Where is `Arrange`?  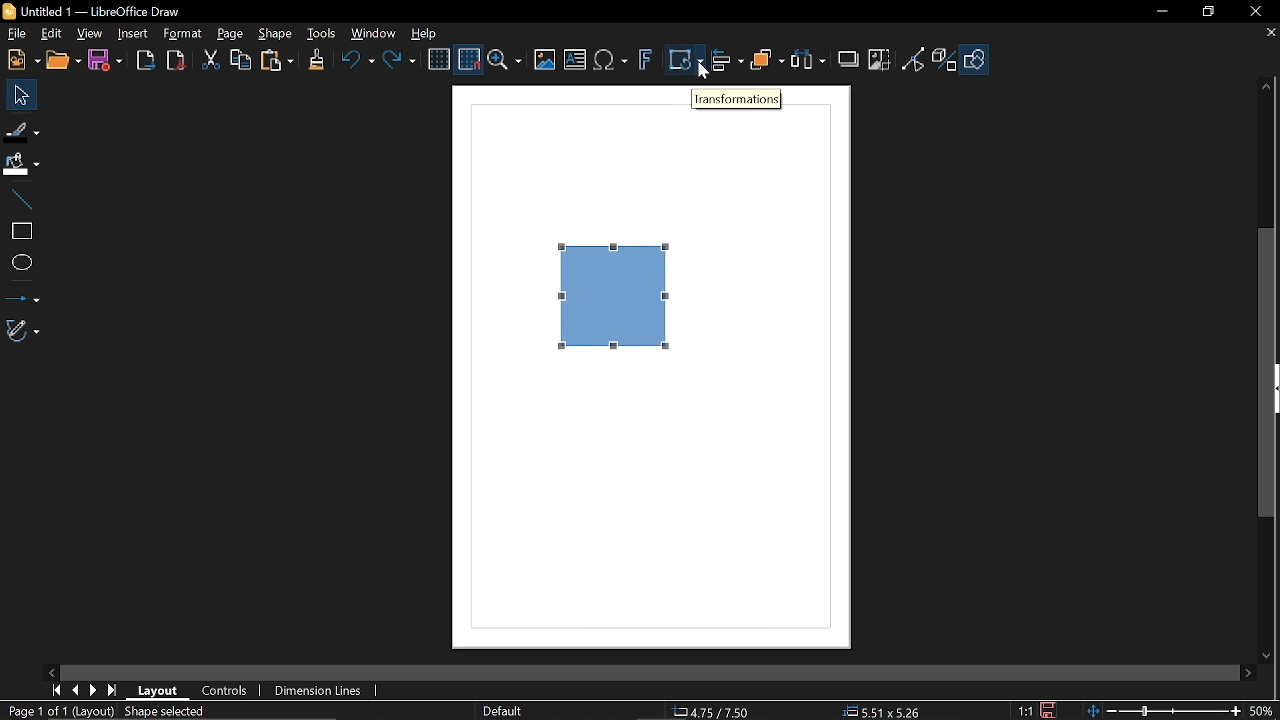 Arrange is located at coordinates (767, 62).